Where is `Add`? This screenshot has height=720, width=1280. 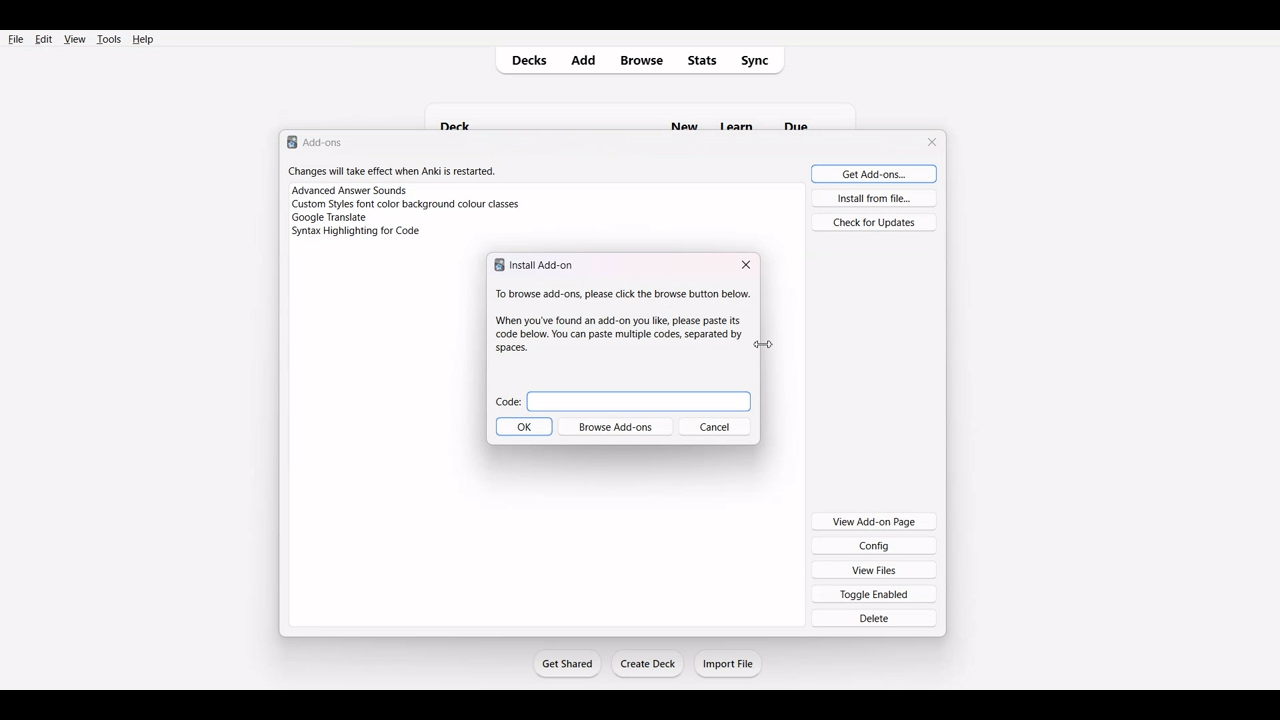
Add is located at coordinates (587, 60).